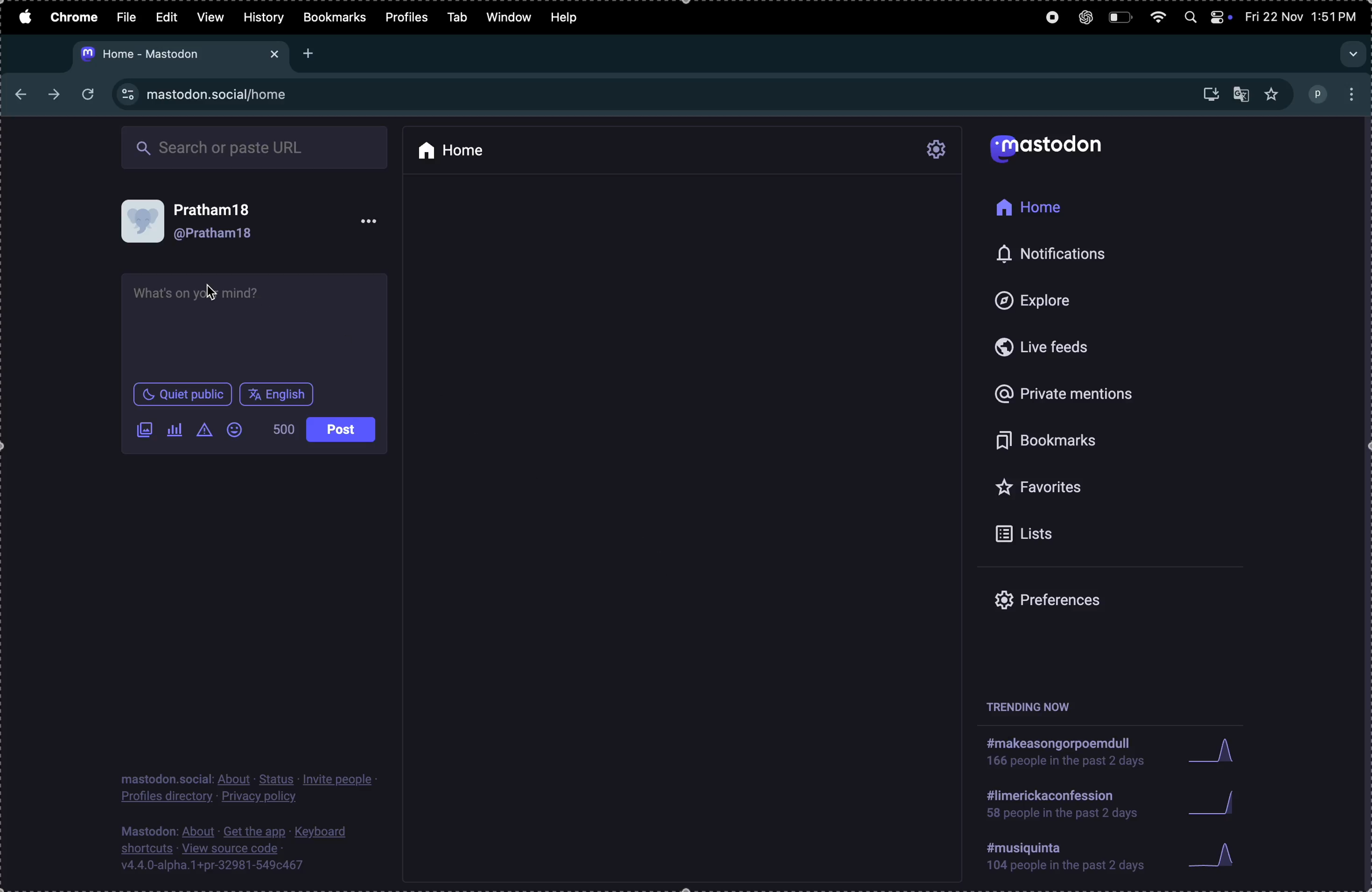 This screenshot has width=1372, height=892. I want to click on private mentions, so click(1071, 388).